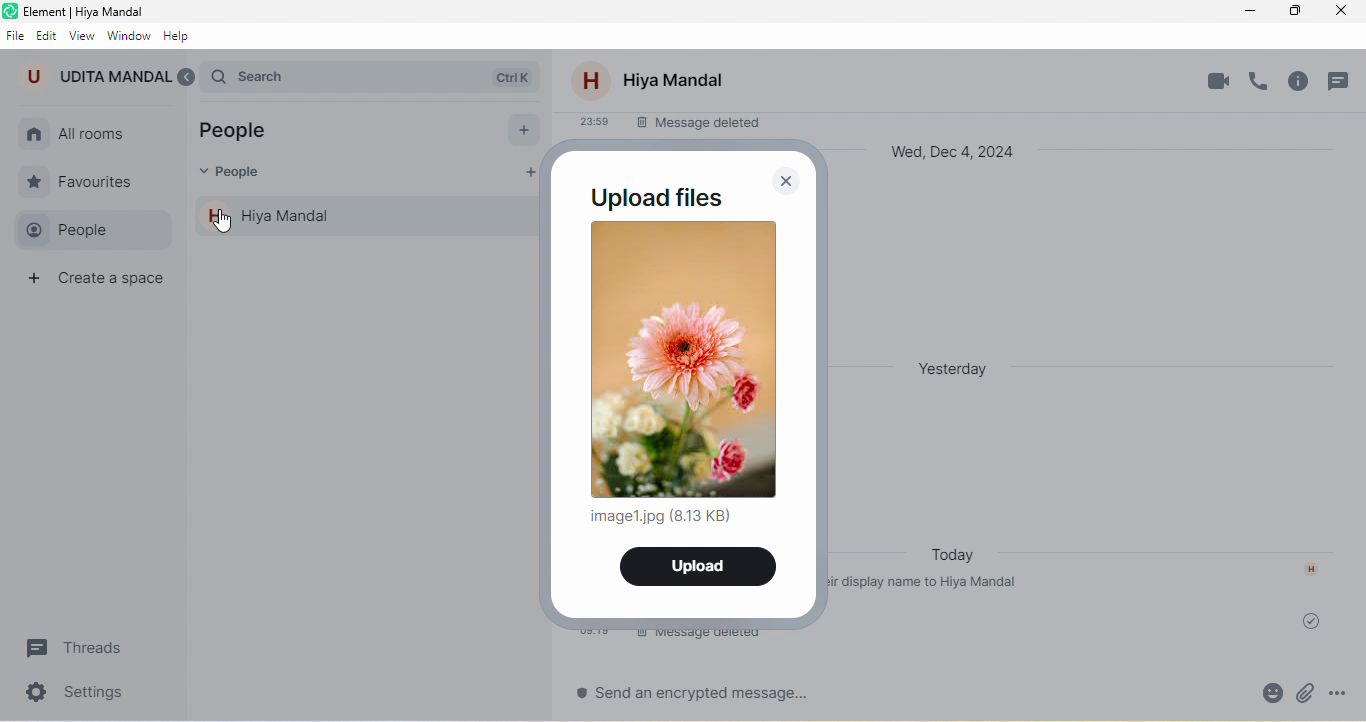  I want to click on room info, so click(1306, 85).